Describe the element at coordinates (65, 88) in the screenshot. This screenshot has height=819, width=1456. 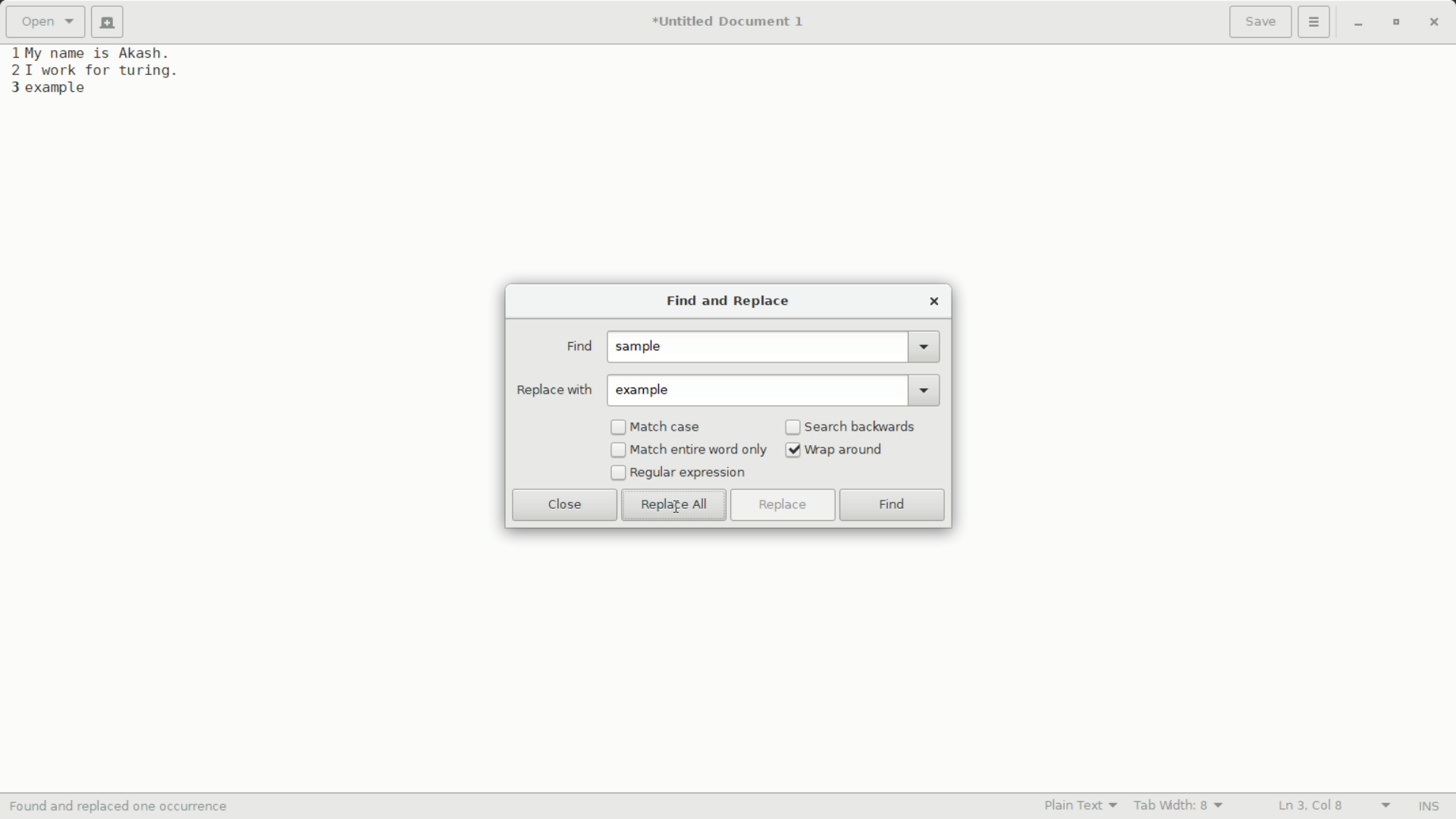
I see `replaced` at that location.